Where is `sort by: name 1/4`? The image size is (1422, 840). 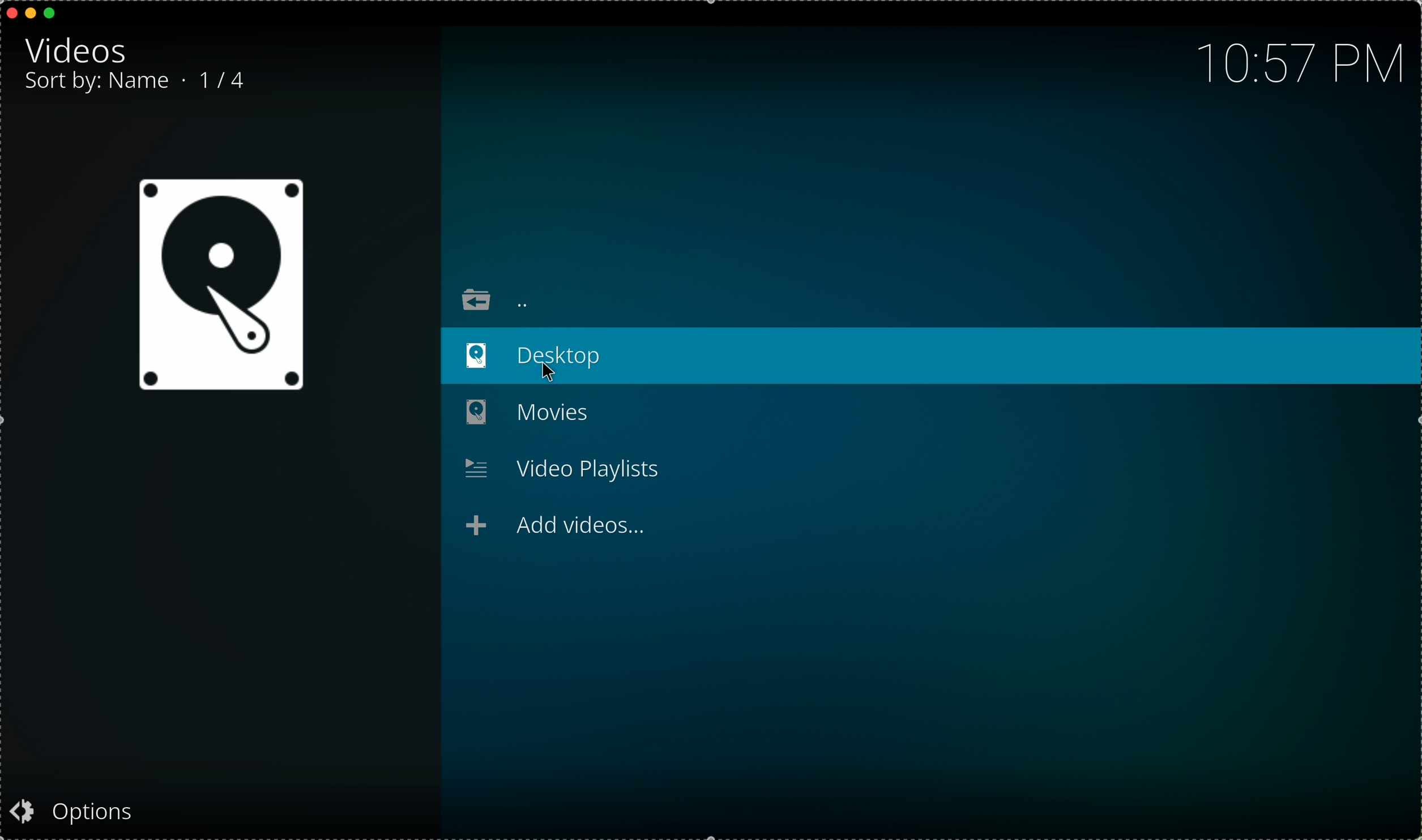 sort by: name 1/4 is located at coordinates (144, 83).